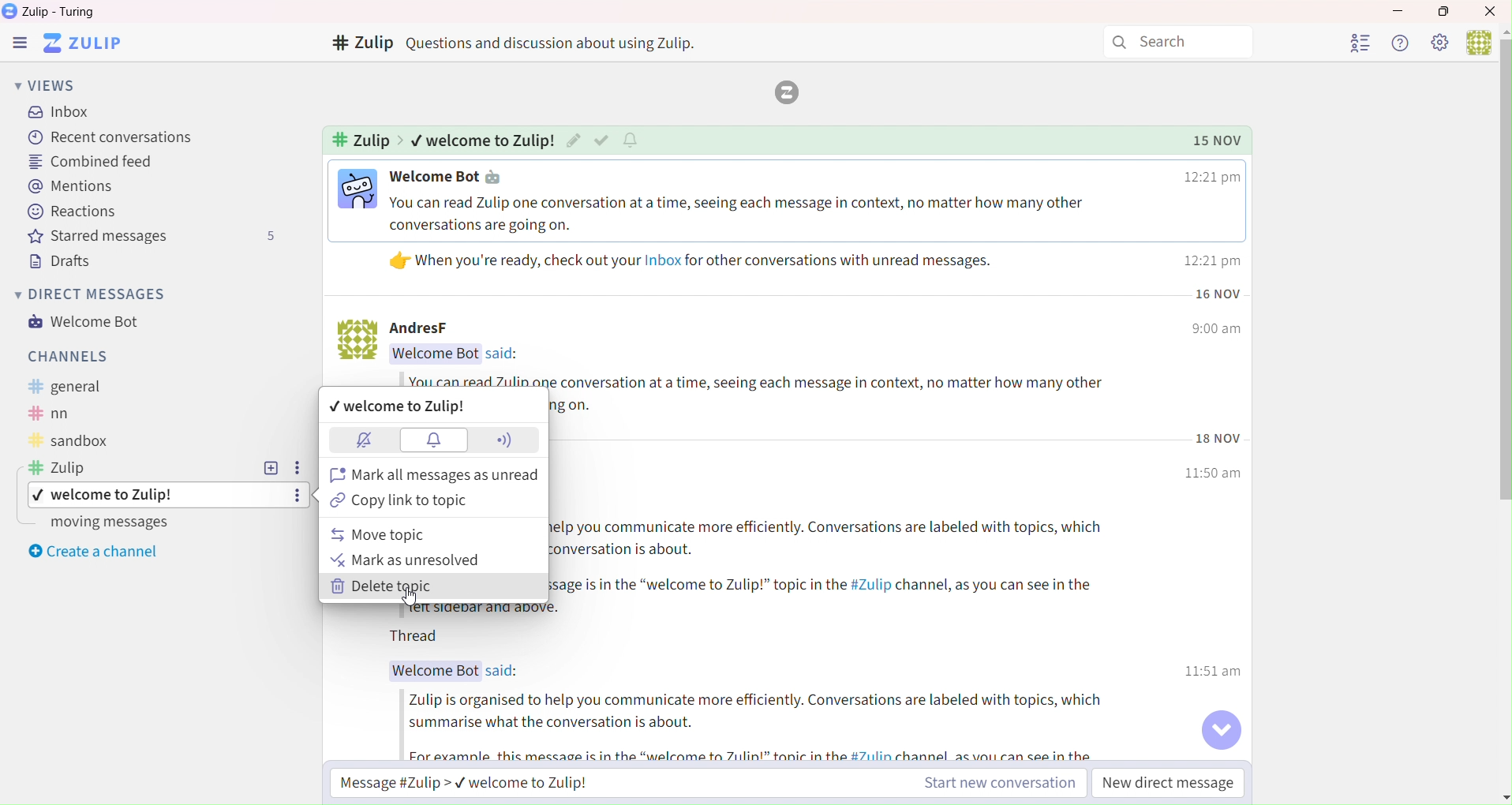  What do you see at coordinates (357, 188) in the screenshot?
I see `Image` at bounding box center [357, 188].